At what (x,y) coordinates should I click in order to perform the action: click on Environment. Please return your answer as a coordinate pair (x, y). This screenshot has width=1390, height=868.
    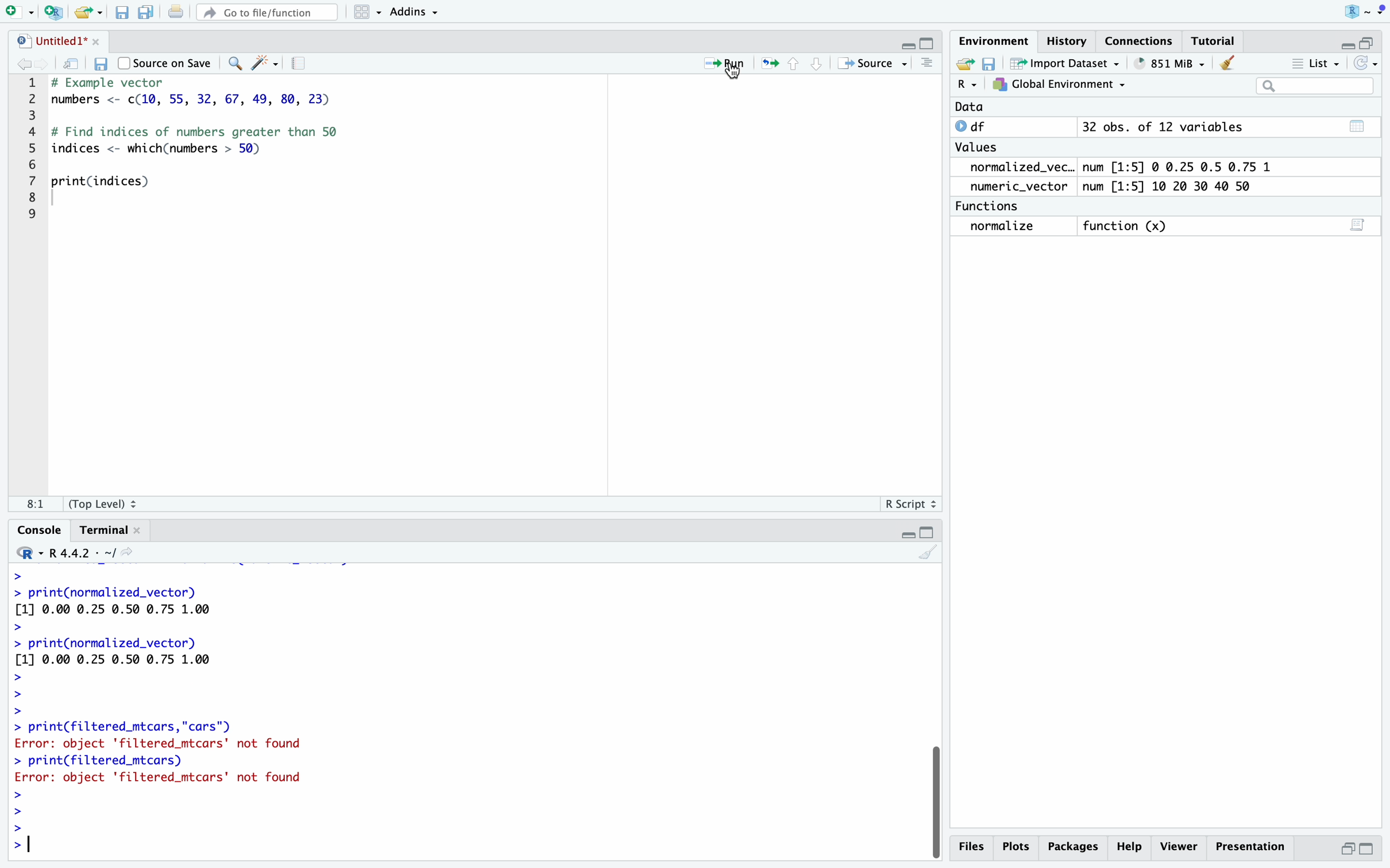
    Looking at the image, I should click on (993, 42).